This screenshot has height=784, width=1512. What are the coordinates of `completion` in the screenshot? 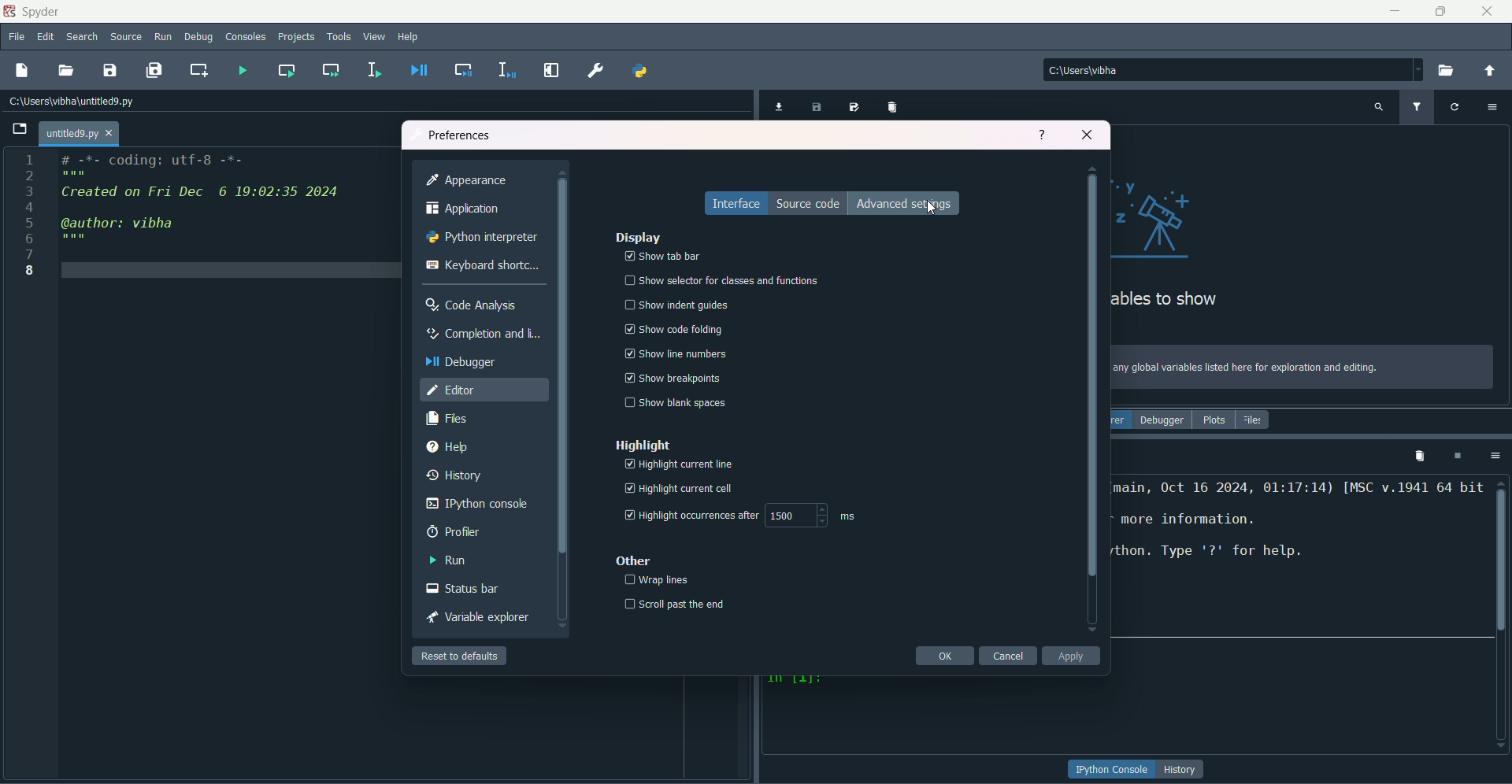 It's located at (480, 334).